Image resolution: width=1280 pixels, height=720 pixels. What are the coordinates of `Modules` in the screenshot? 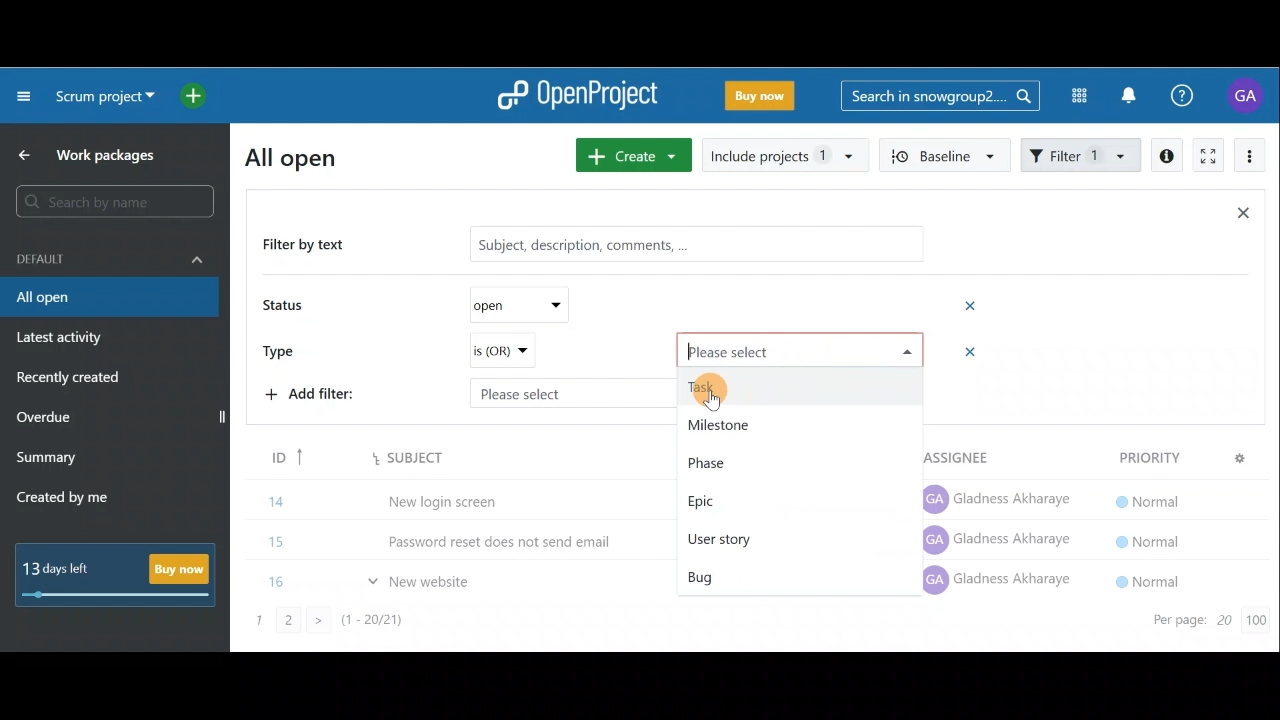 It's located at (1073, 96).